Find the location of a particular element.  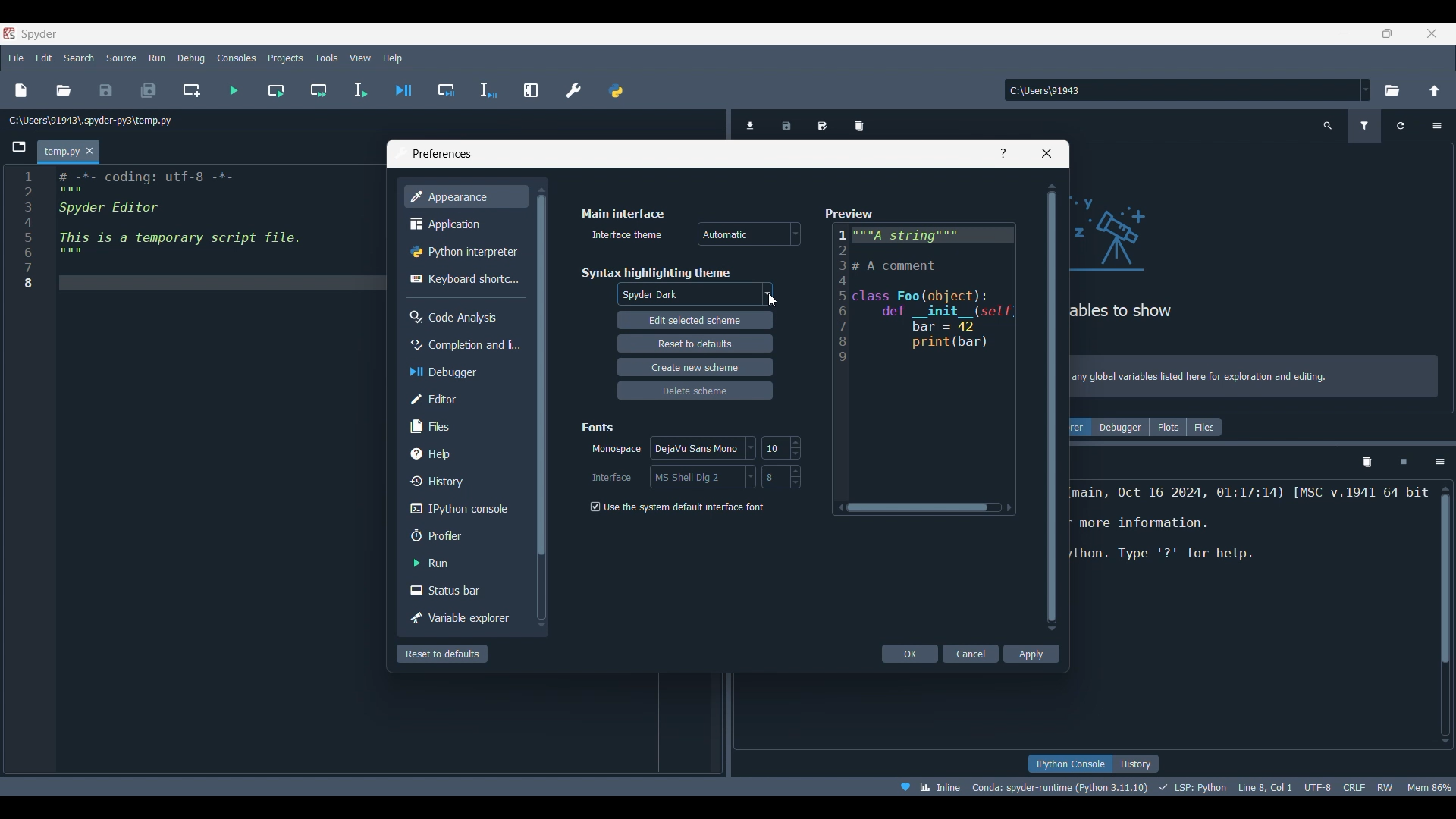

info is located at coordinates (1256, 378).